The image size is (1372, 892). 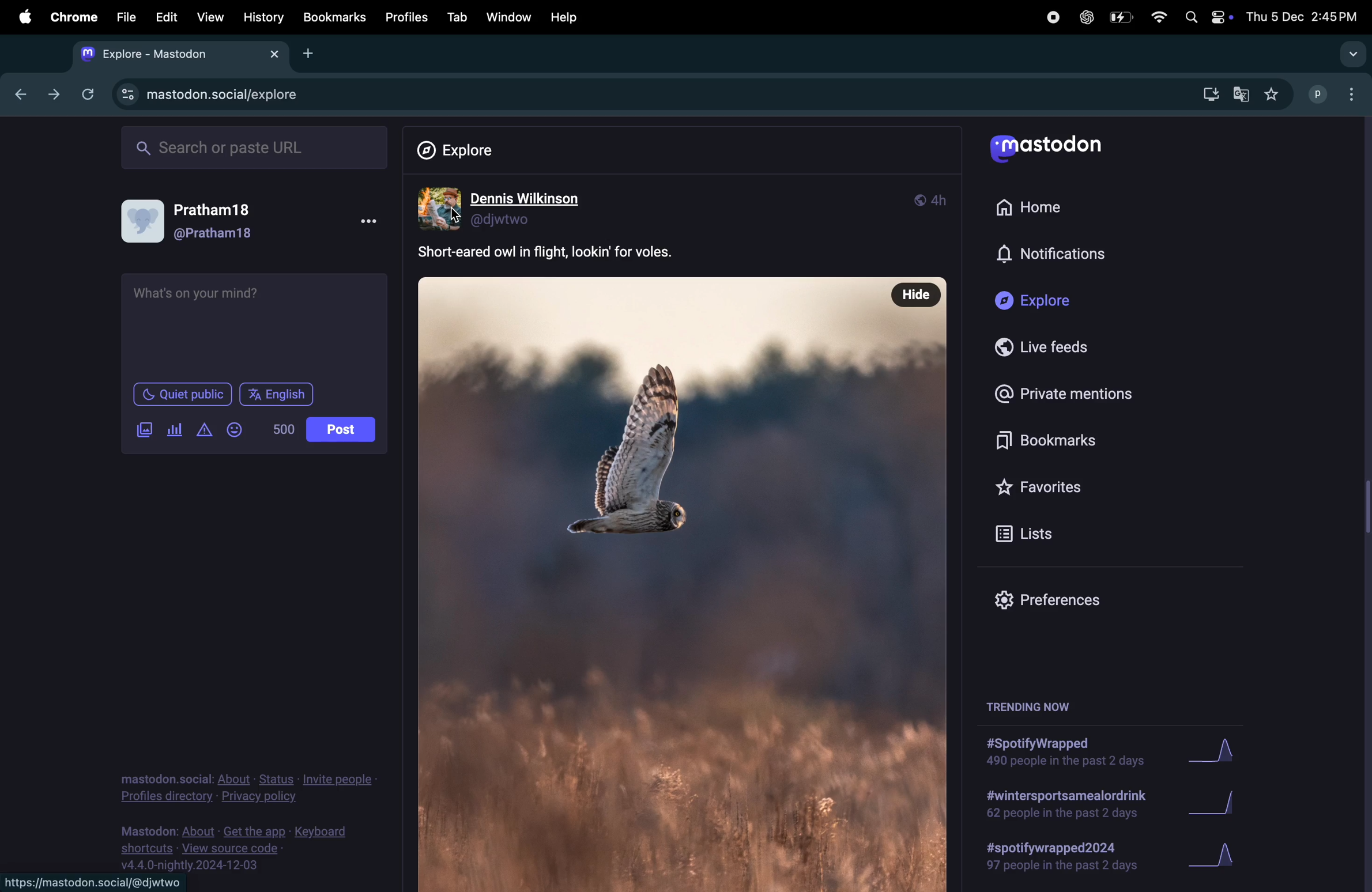 I want to click on post, so click(x=340, y=429).